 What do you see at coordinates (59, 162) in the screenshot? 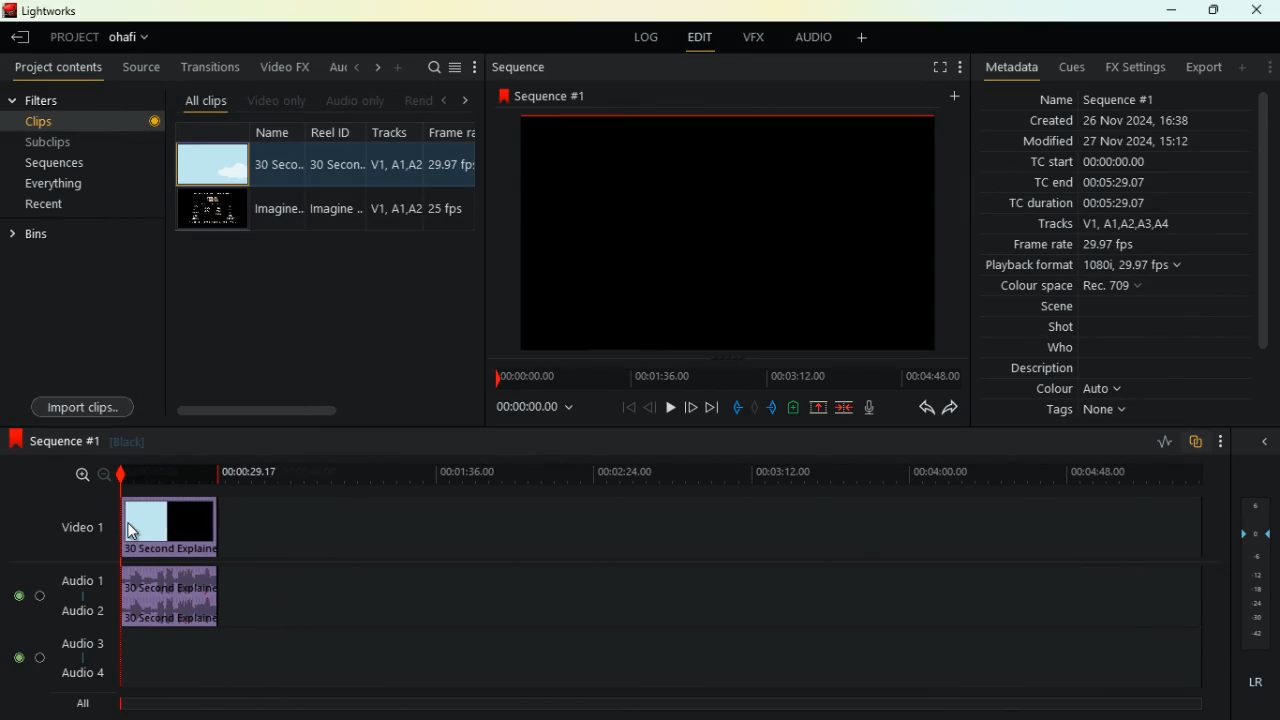
I see `sequences` at bounding box center [59, 162].